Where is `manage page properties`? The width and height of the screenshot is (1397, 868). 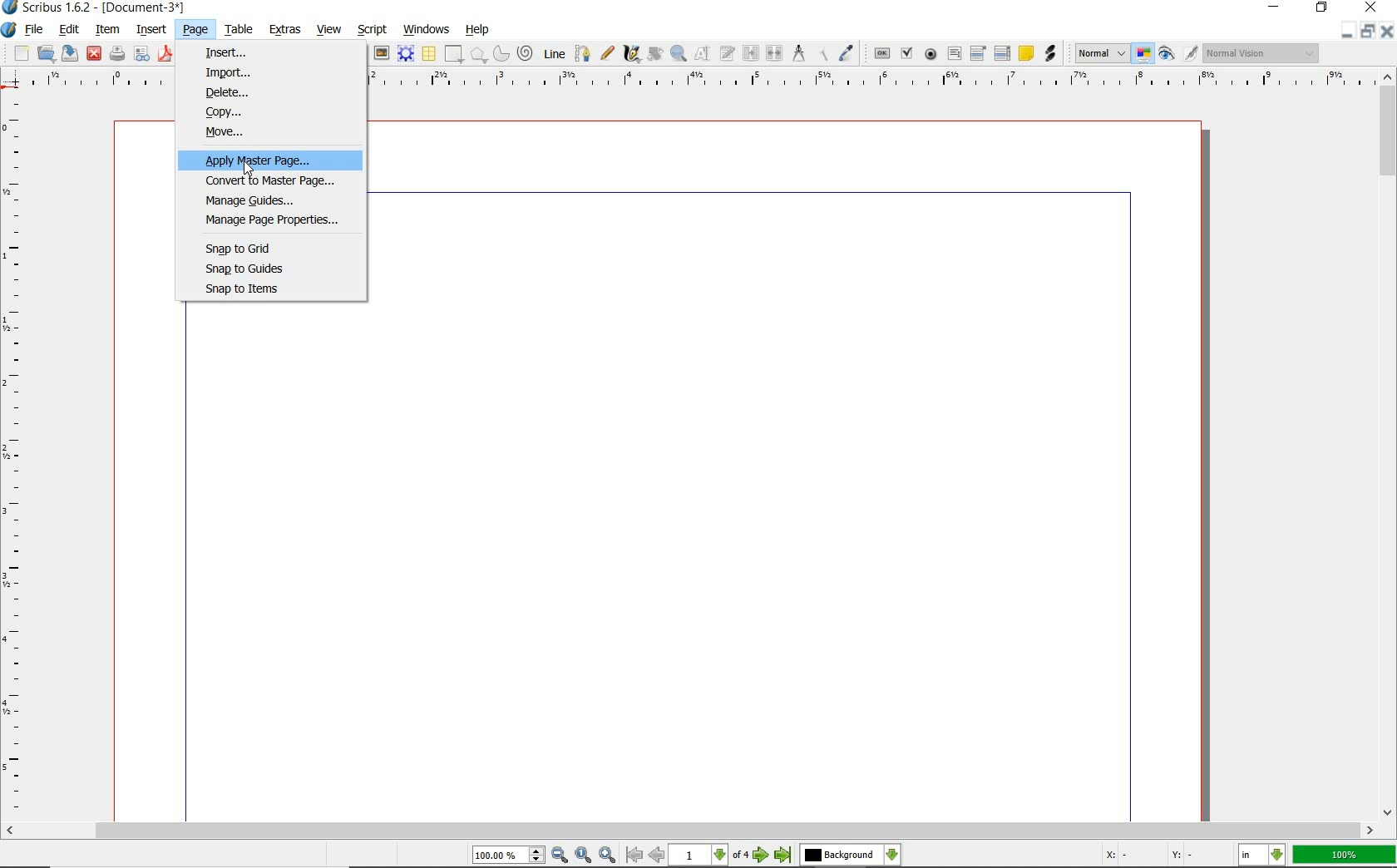 manage page properties is located at coordinates (266, 221).